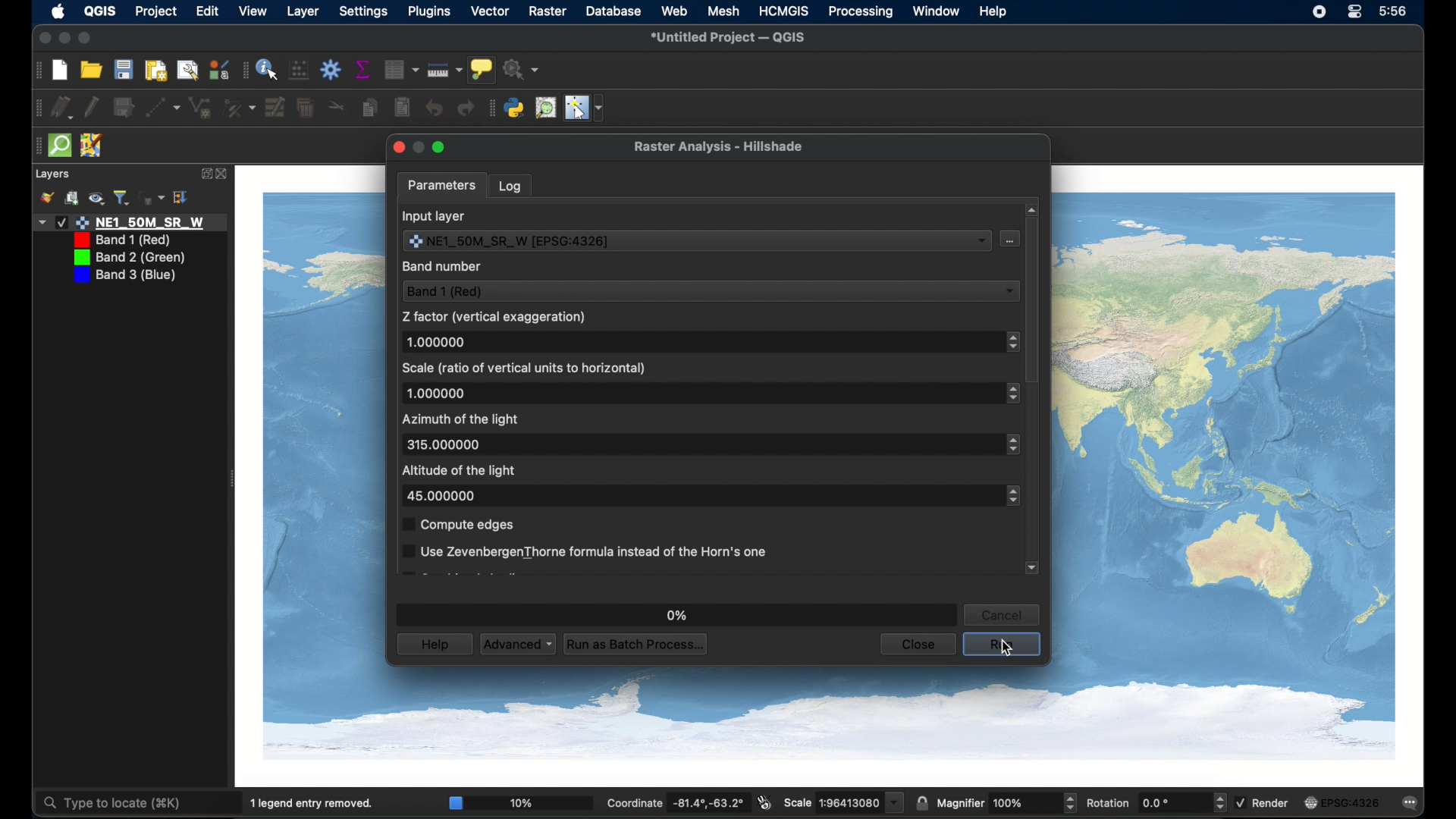 Image resolution: width=1456 pixels, height=819 pixels. I want to click on input layer dropdown, so click(697, 240).